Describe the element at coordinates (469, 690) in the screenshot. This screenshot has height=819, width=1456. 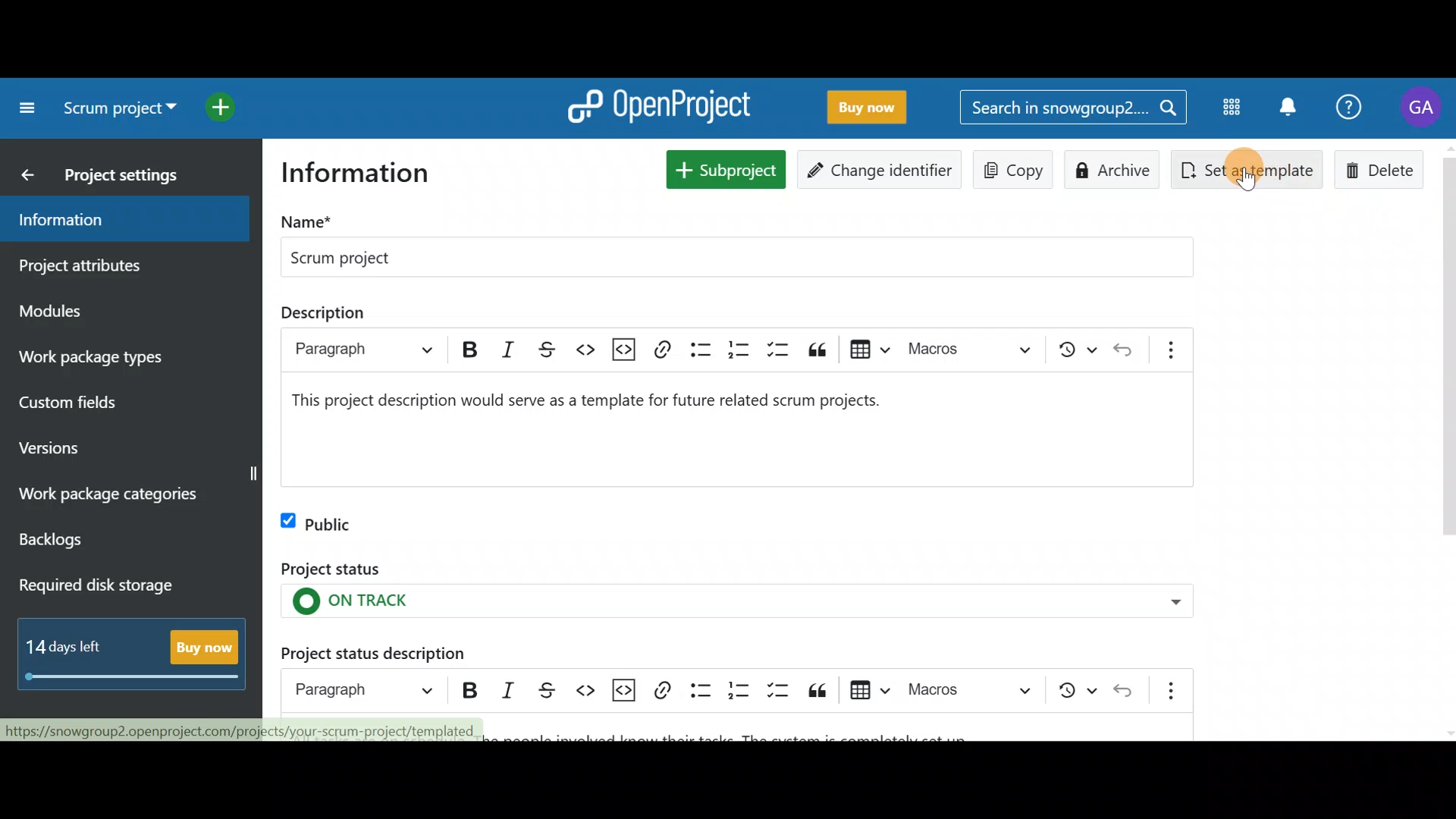
I see `Bold` at that location.